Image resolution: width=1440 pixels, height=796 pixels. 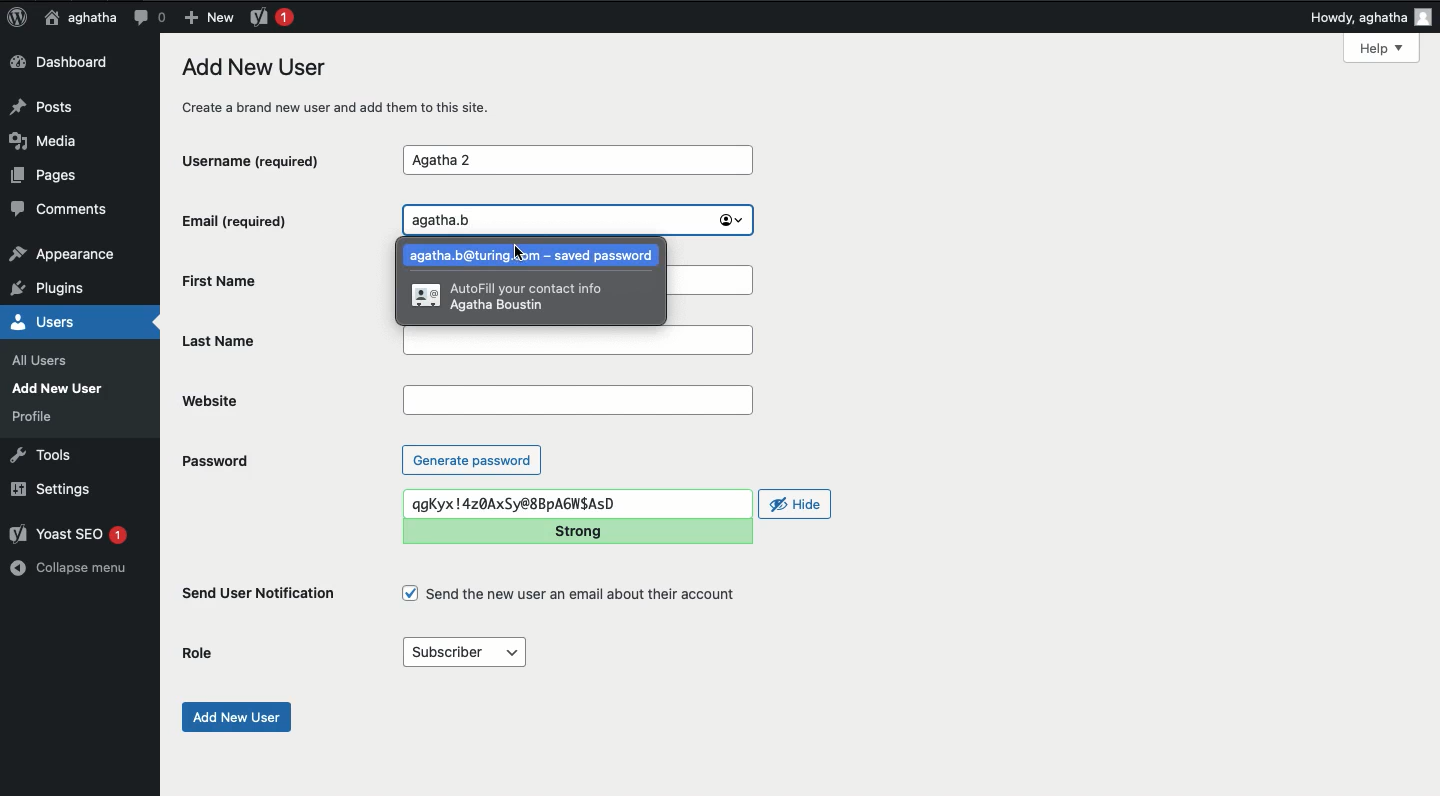 What do you see at coordinates (77, 17) in the screenshot?
I see `aghatha` at bounding box center [77, 17].